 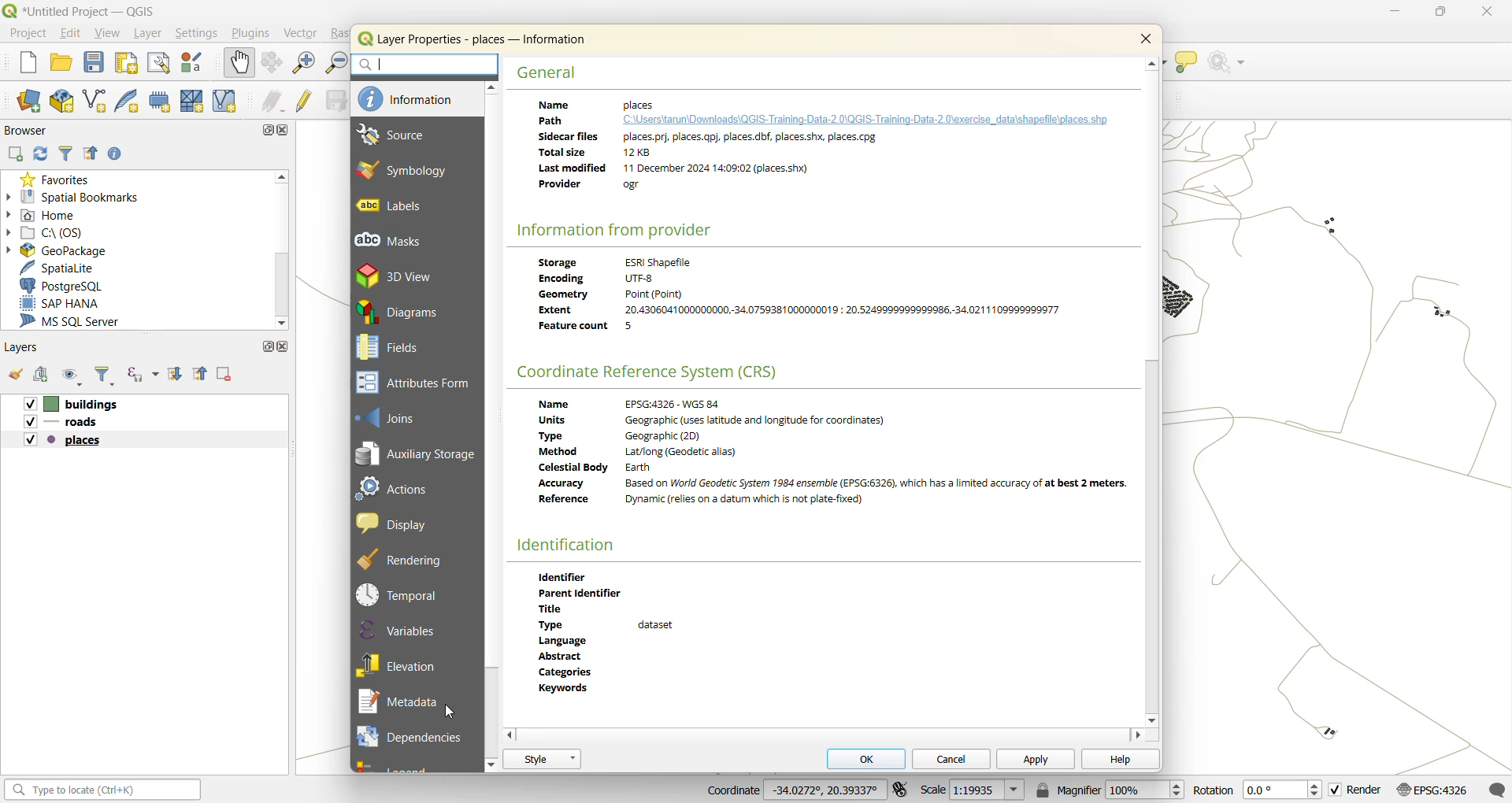 What do you see at coordinates (202, 376) in the screenshot?
I see `collapse all` at bounding box center [202, 376].